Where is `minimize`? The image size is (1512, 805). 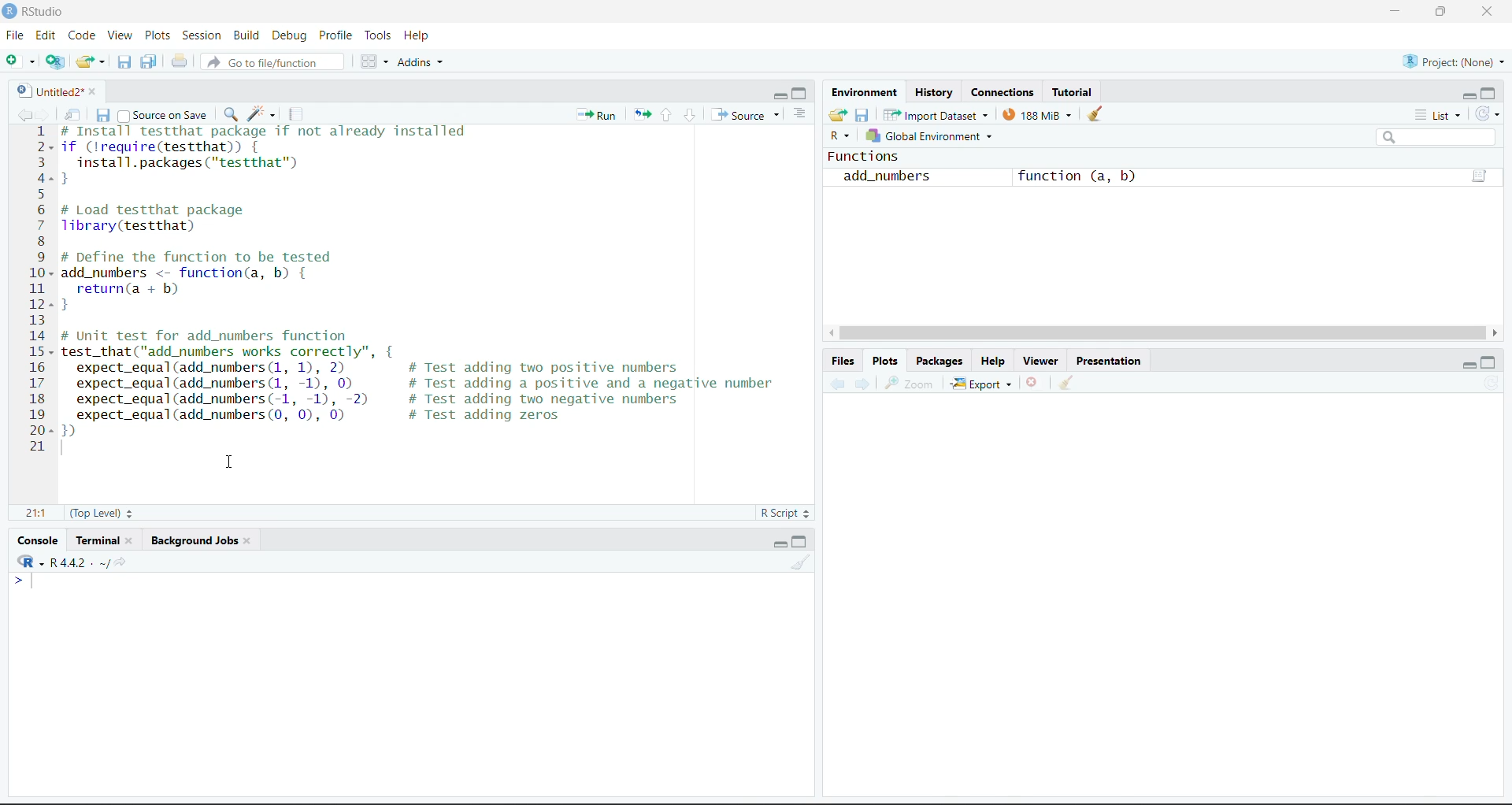
minimize is located at coordinates (1397, 9).